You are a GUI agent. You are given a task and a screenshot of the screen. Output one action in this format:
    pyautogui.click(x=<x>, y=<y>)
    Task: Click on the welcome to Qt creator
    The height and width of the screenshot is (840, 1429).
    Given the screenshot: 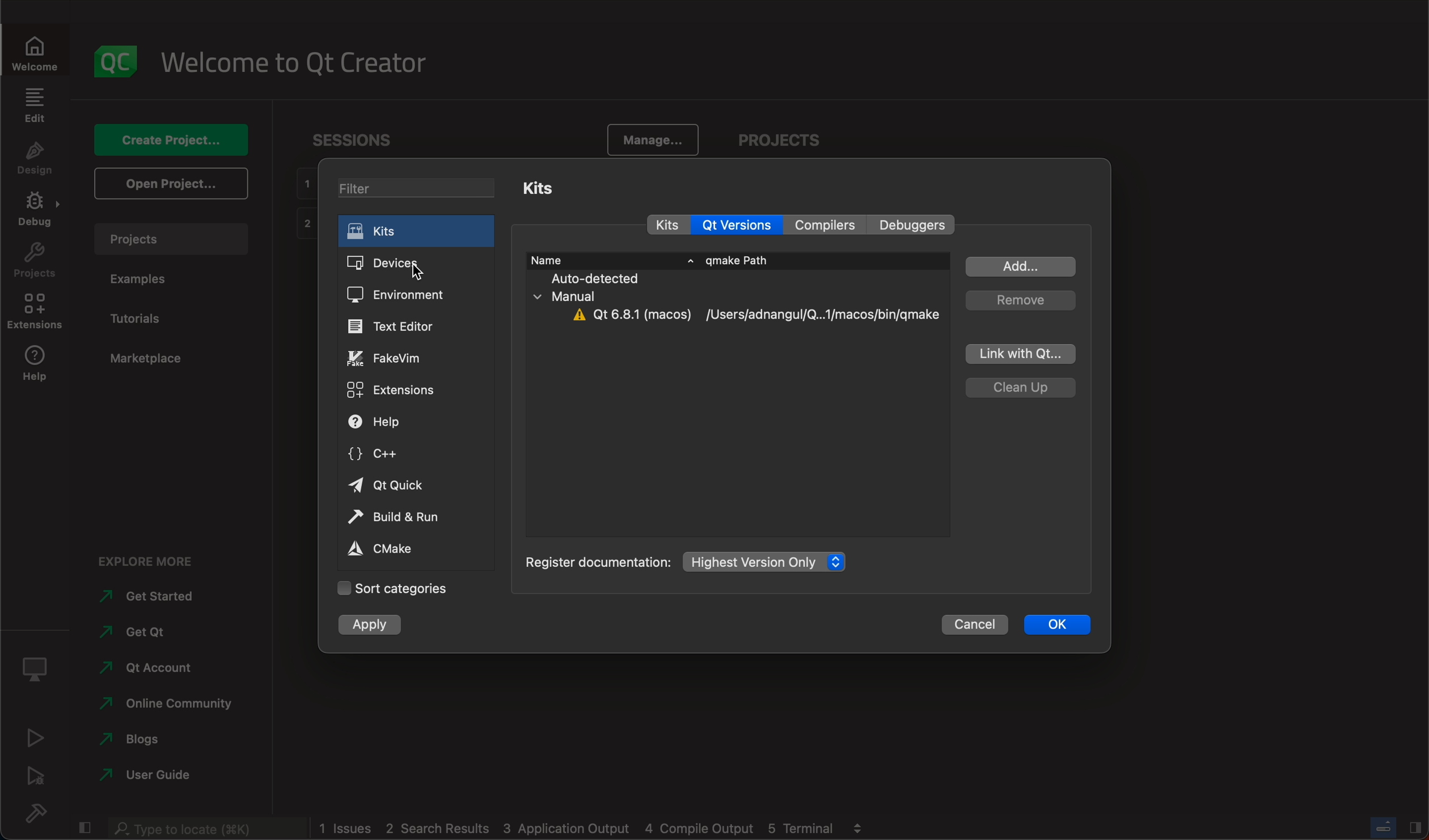 What is the action you would take?
    pyautogui.click(x=298, y=63)
    